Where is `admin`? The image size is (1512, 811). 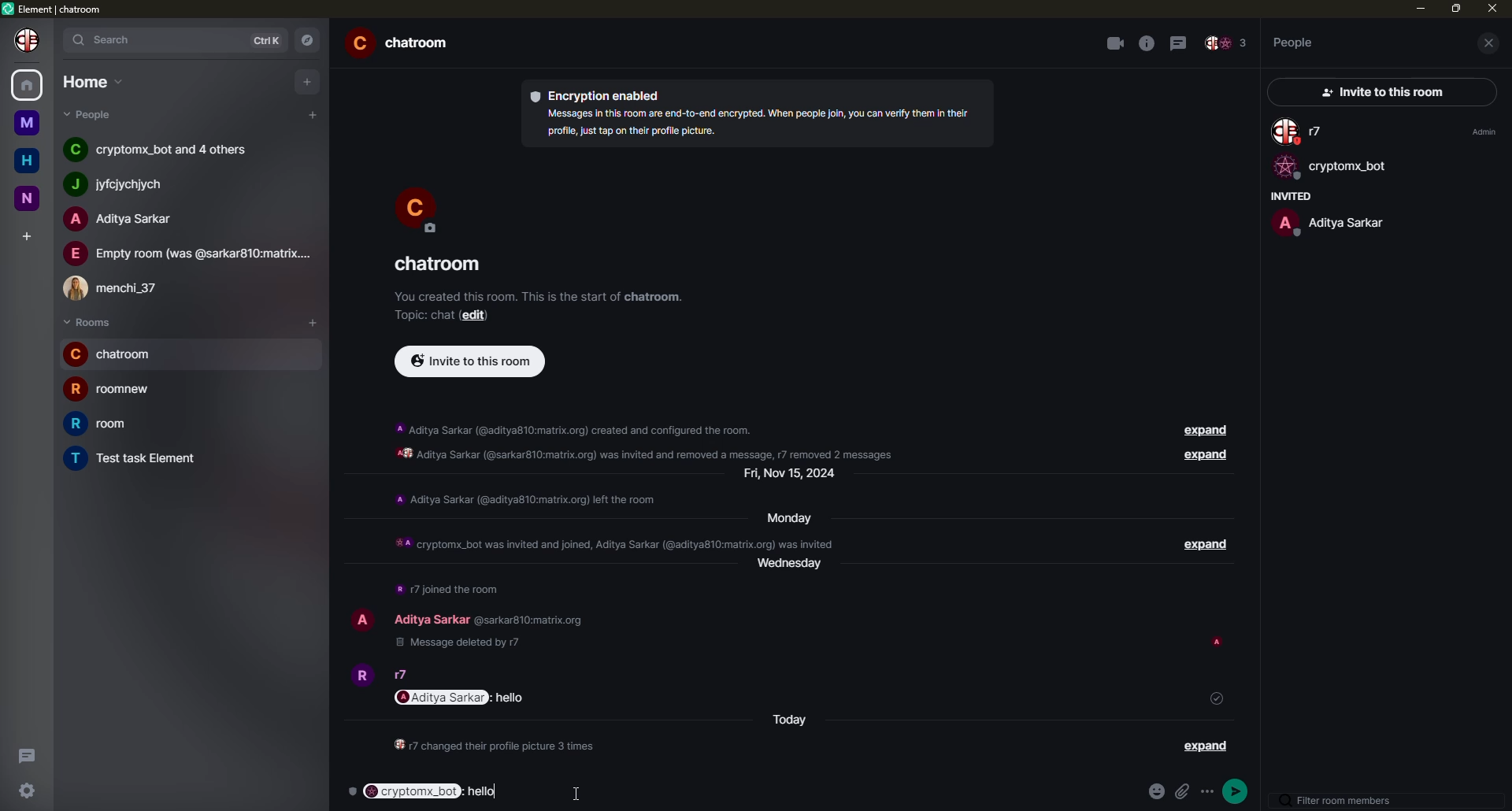
admin is located at coordinates (1481, 131).